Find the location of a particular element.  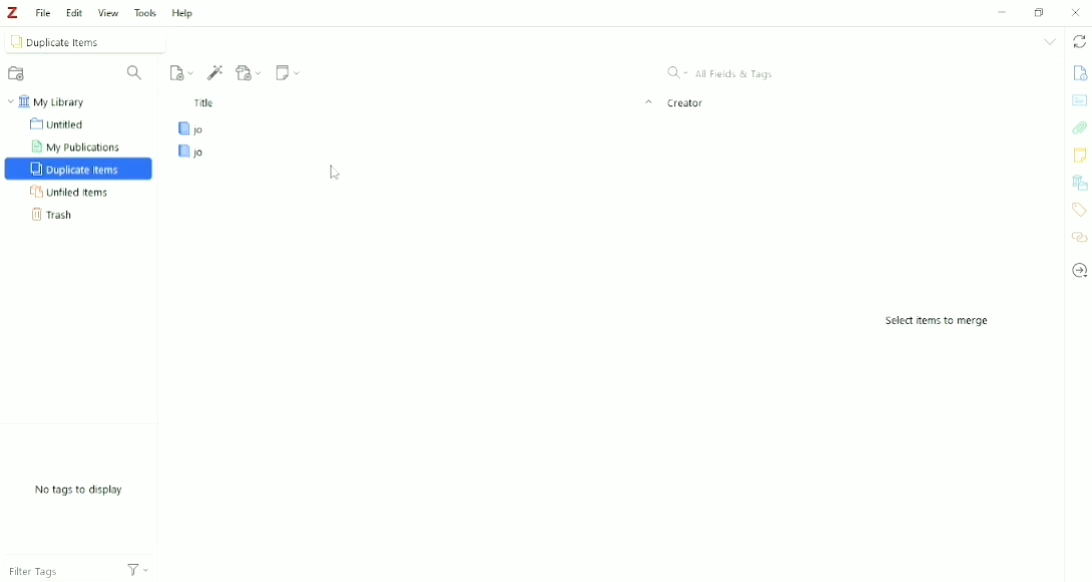

My Library is located at coordinates (51, 101).